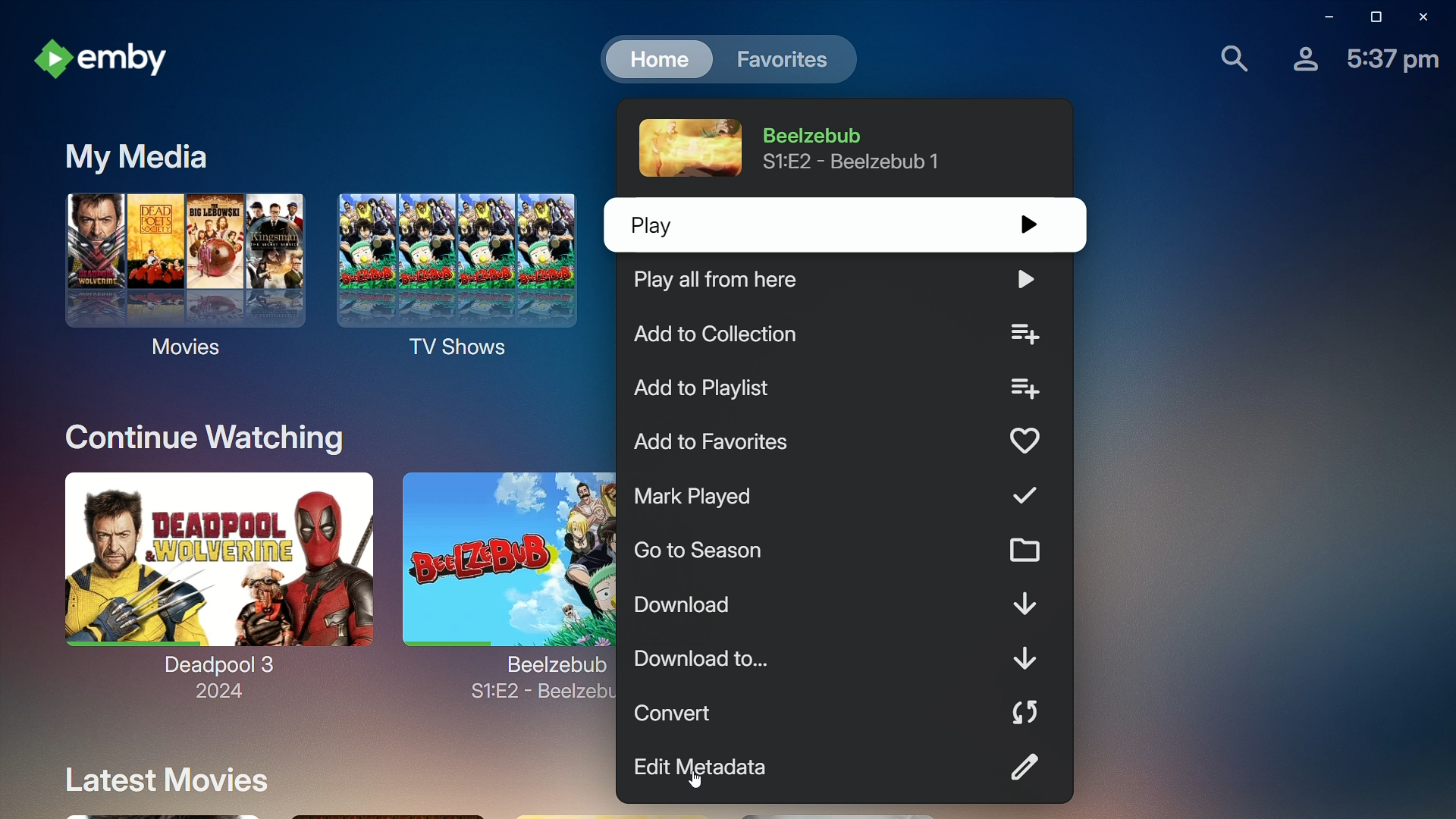  Describe the element at coordinates (214, 569) in the screenshot. I see `Deadpool 3` at that location.